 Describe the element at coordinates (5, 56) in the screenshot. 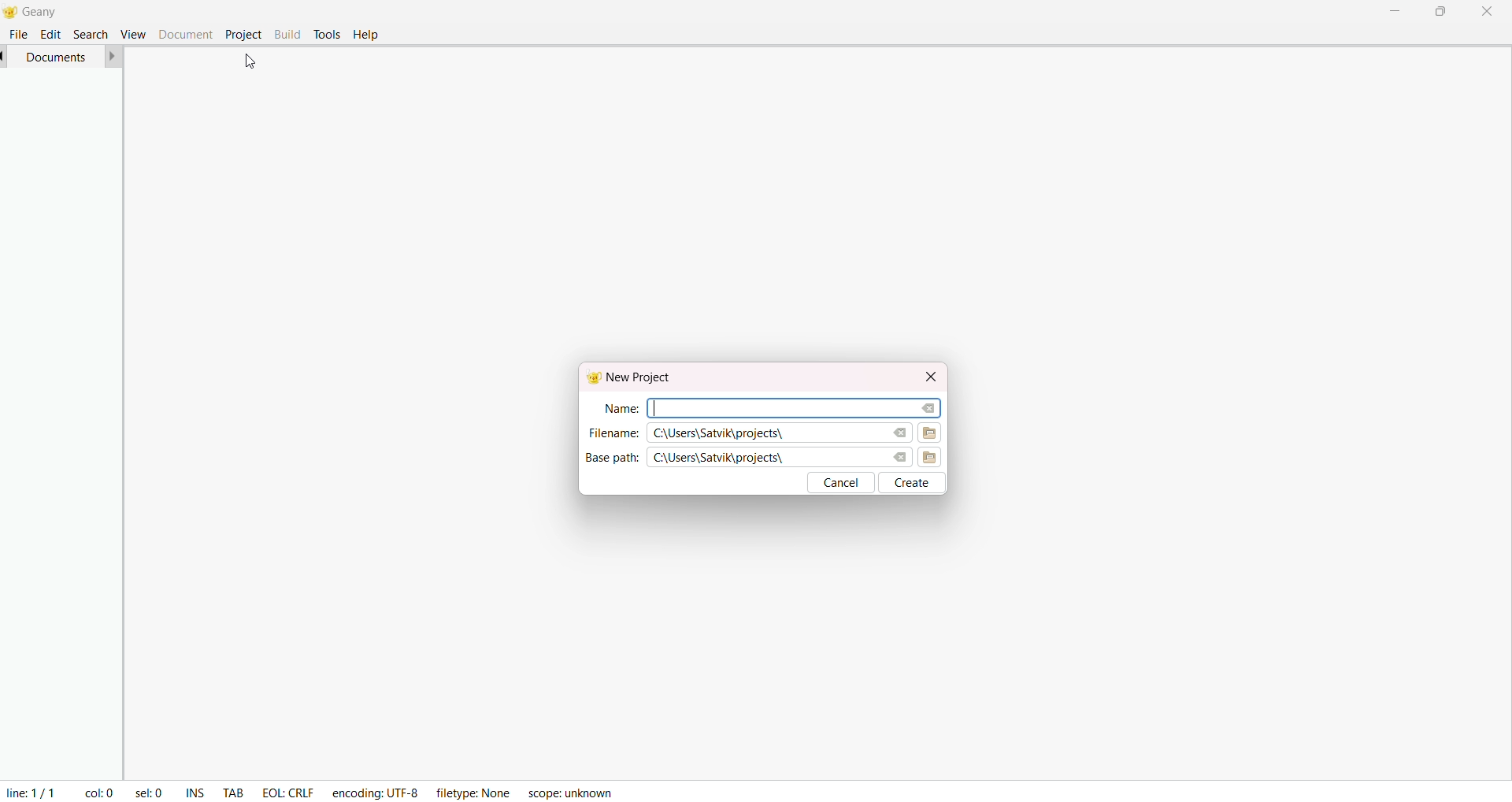

I see `back` at that location.